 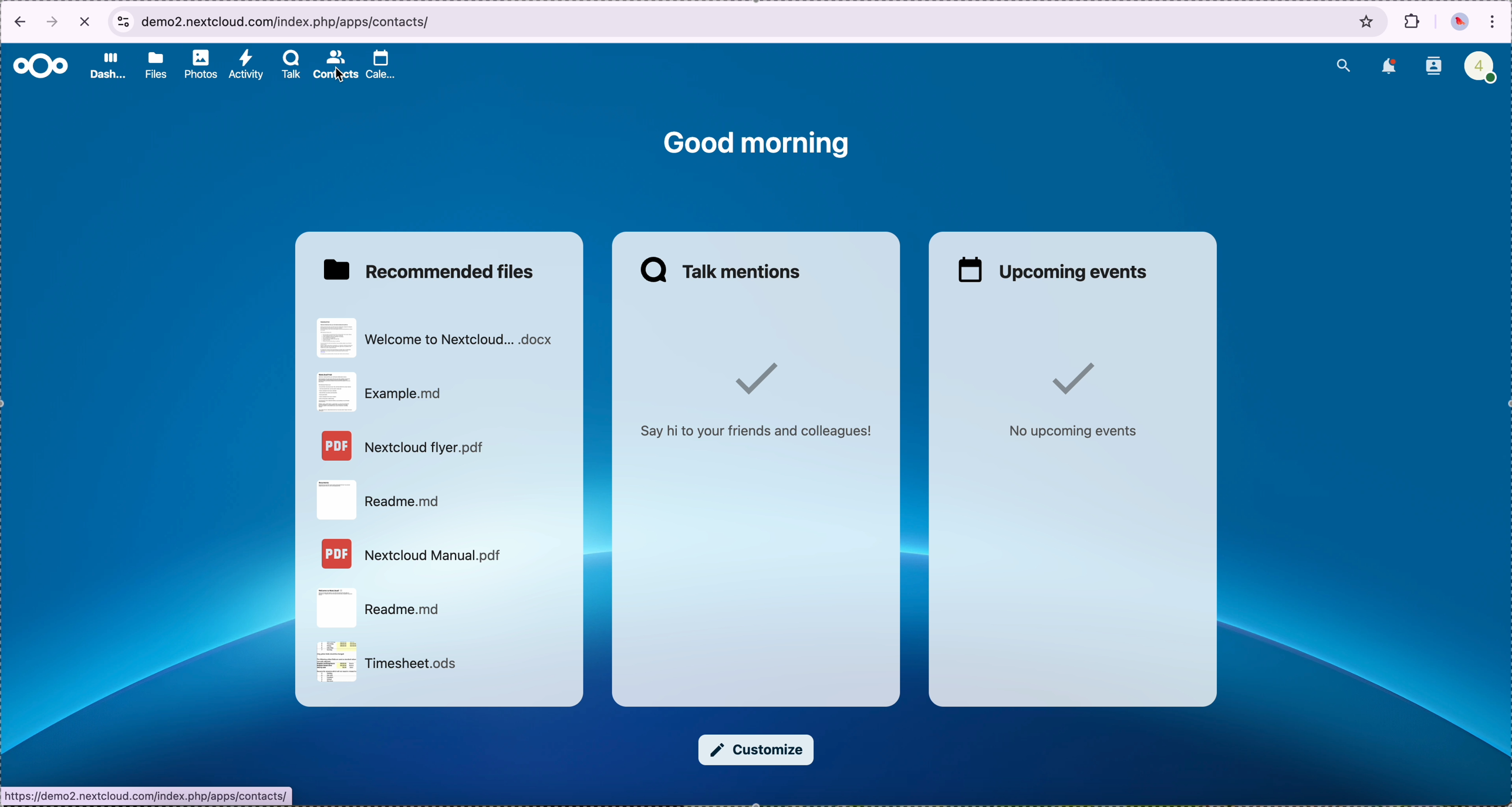 What do you see at coordinates (407, 447) in the screenshot?
I see `file` at bounding box center [407, 447].